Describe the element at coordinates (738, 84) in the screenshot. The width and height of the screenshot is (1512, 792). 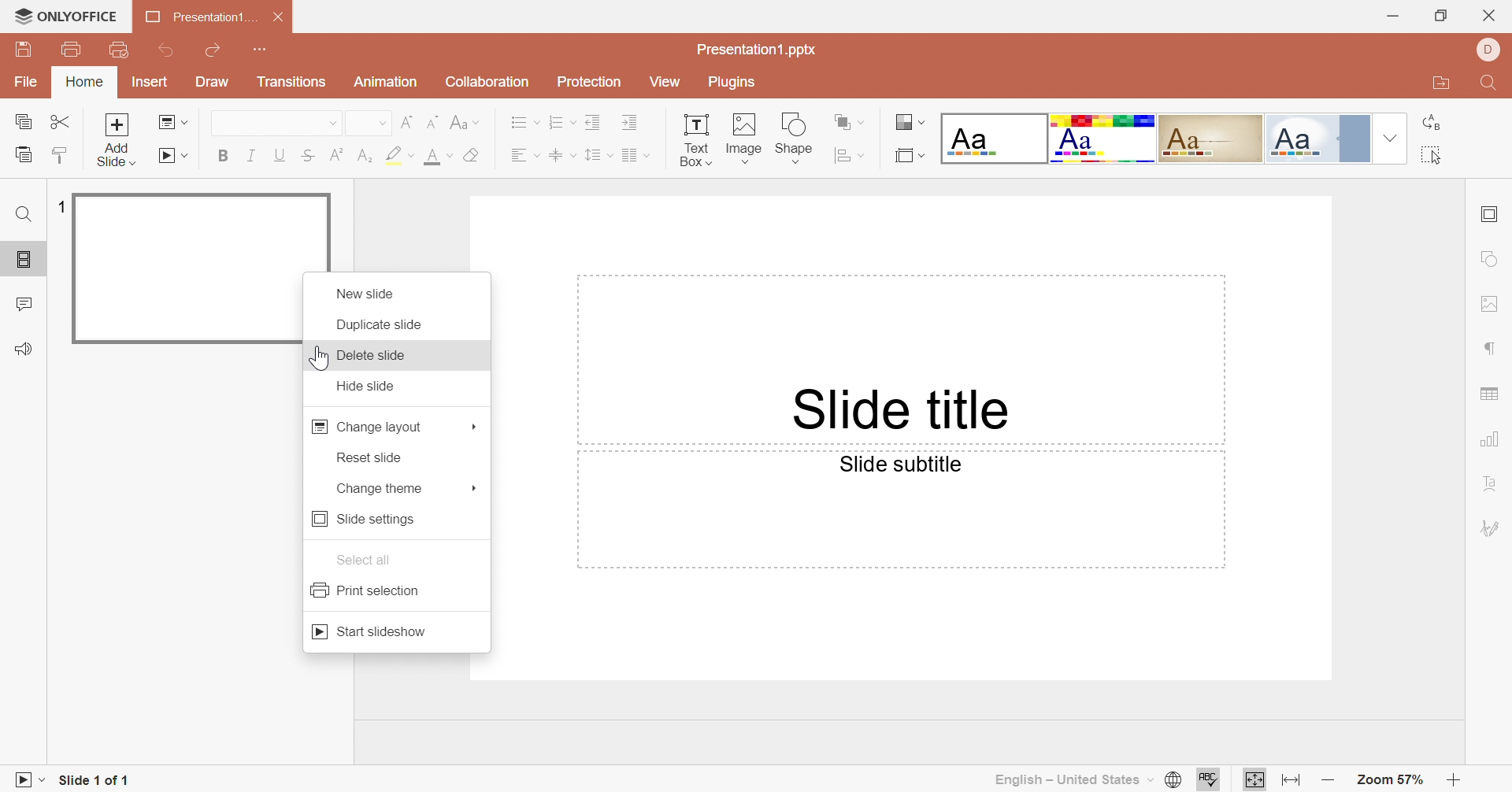
I see `Plugins` at that location.